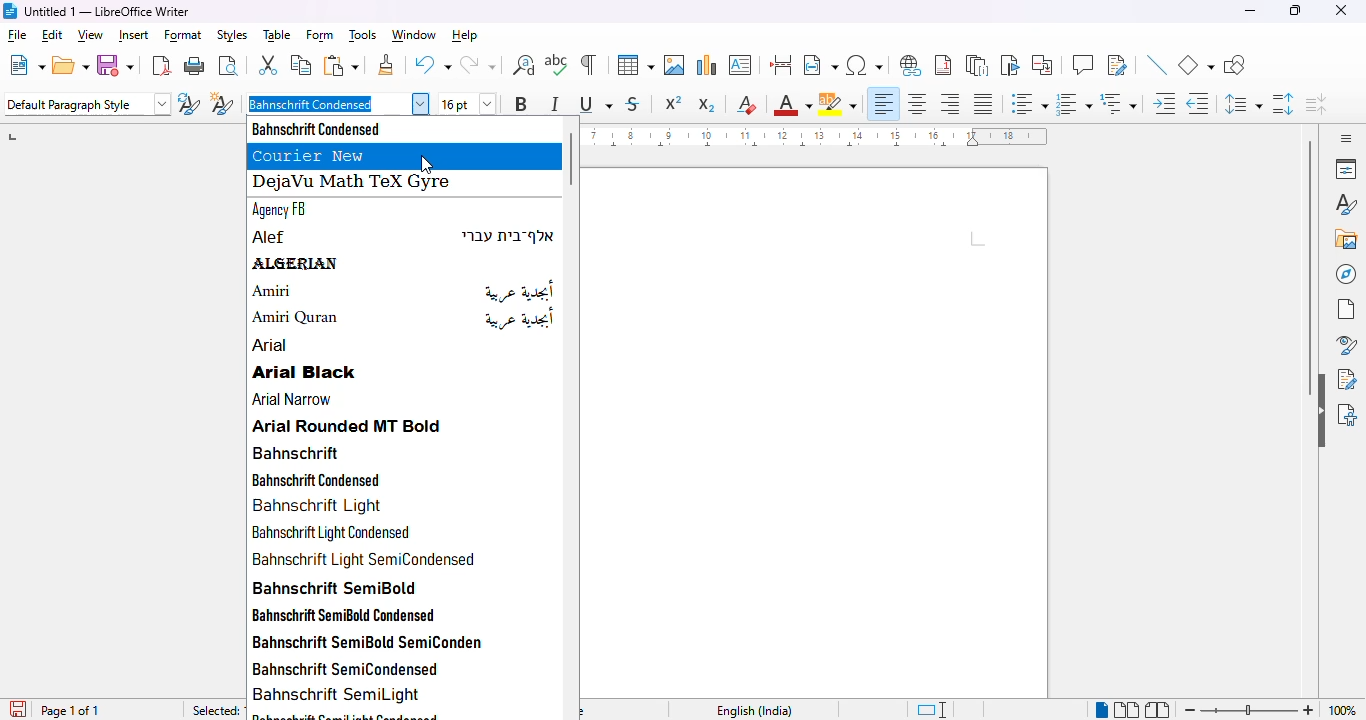 The height and width of the screenshot is (720, 1366). Describe the element at coordinates (53, 35) in the screenshot. I see `edit` at that location.